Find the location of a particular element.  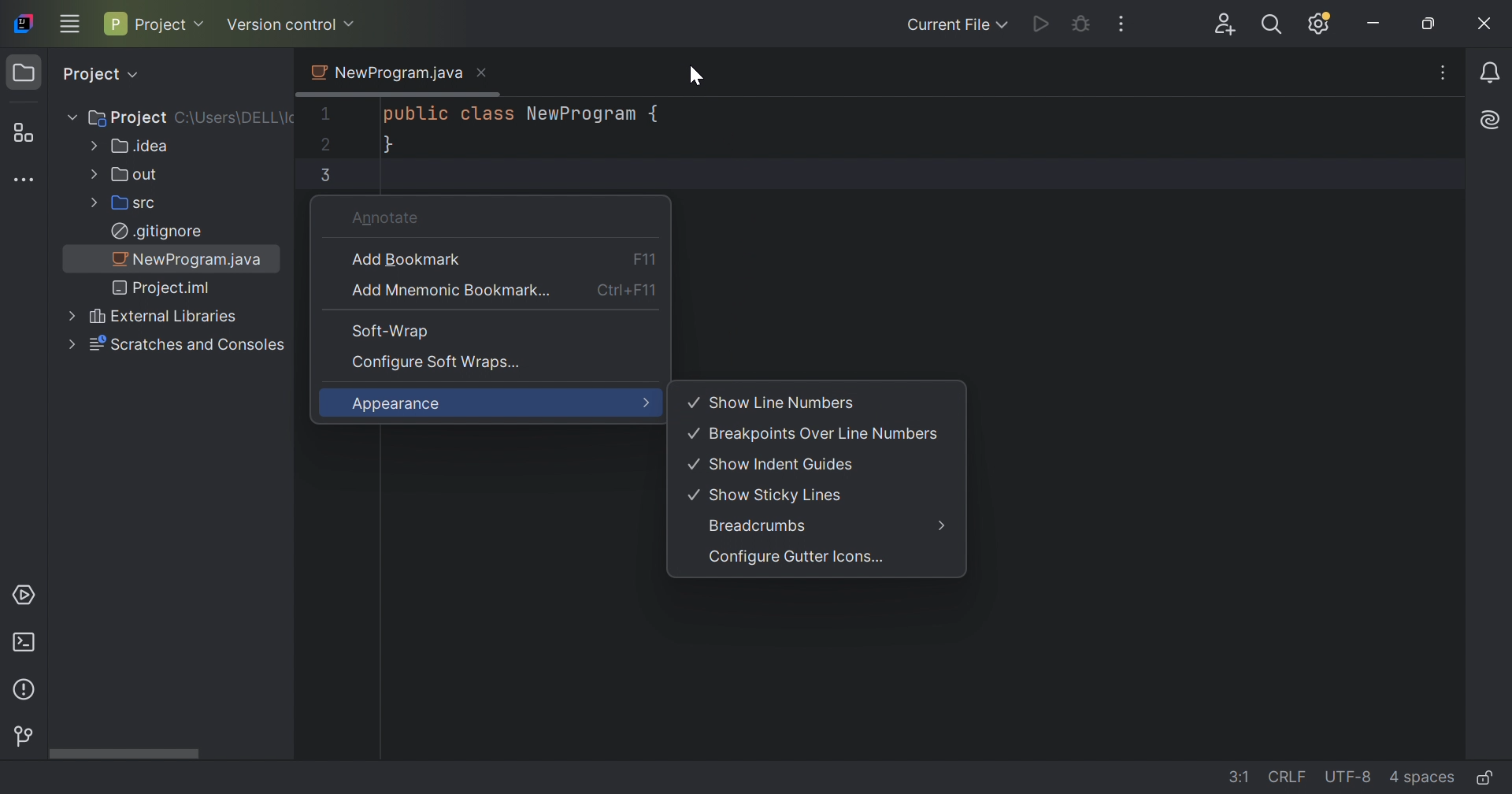

NewProgram.java is located at coordinates (192, 258).